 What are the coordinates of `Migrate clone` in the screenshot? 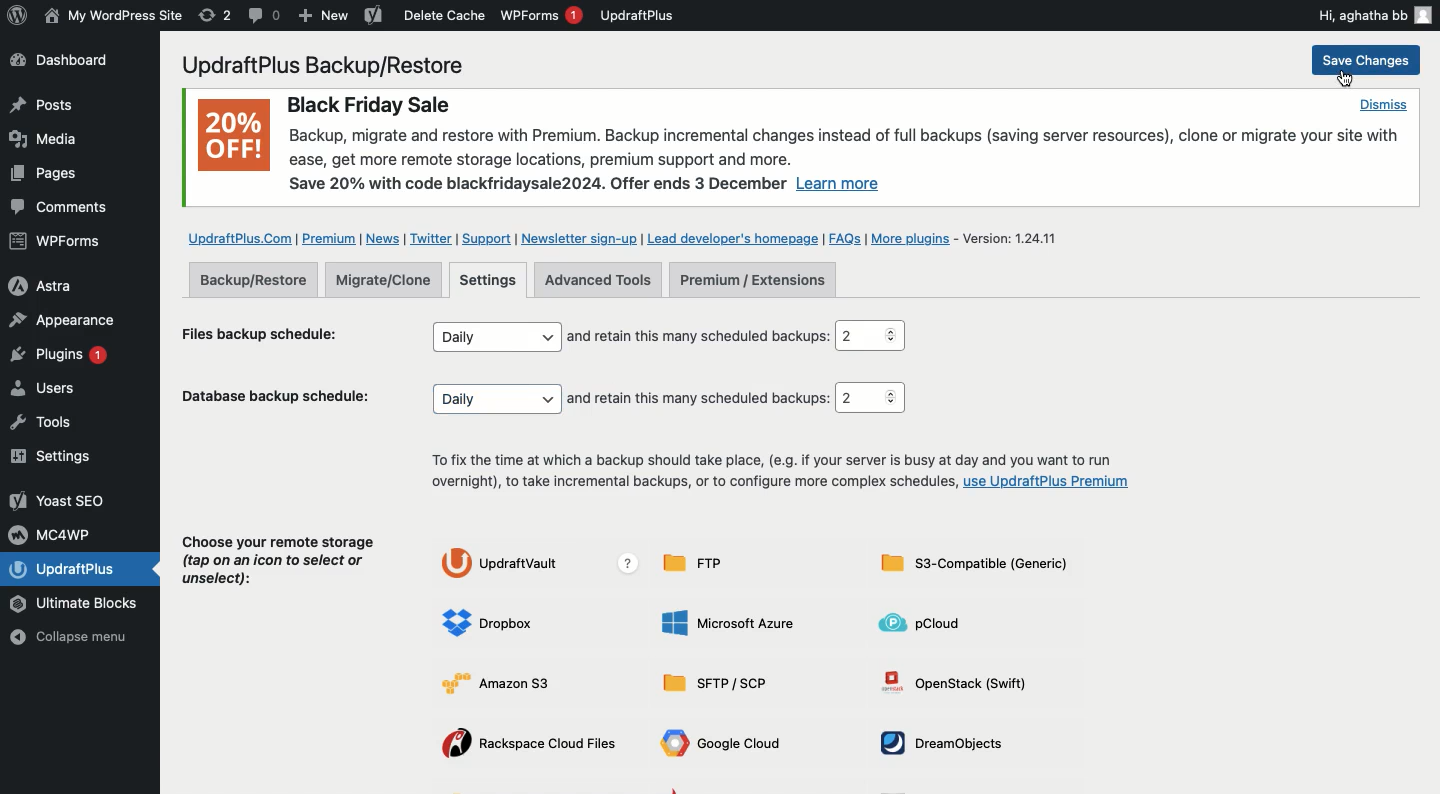 It's located at (389, 281).